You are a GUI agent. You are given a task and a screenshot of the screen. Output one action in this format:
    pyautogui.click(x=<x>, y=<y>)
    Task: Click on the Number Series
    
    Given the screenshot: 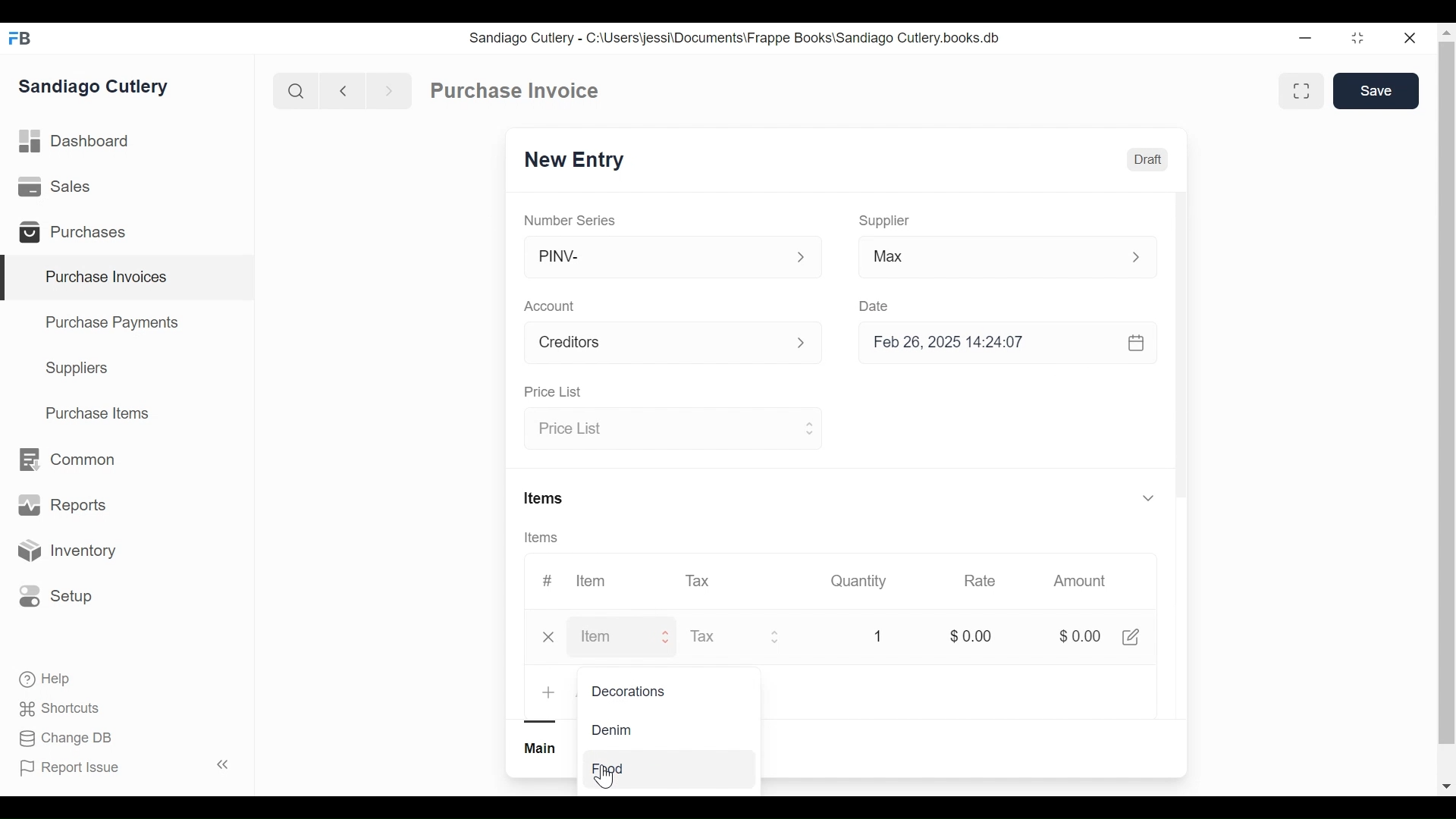 What is the action you would take?
    pyautogui.click(x=572, y=220)
    